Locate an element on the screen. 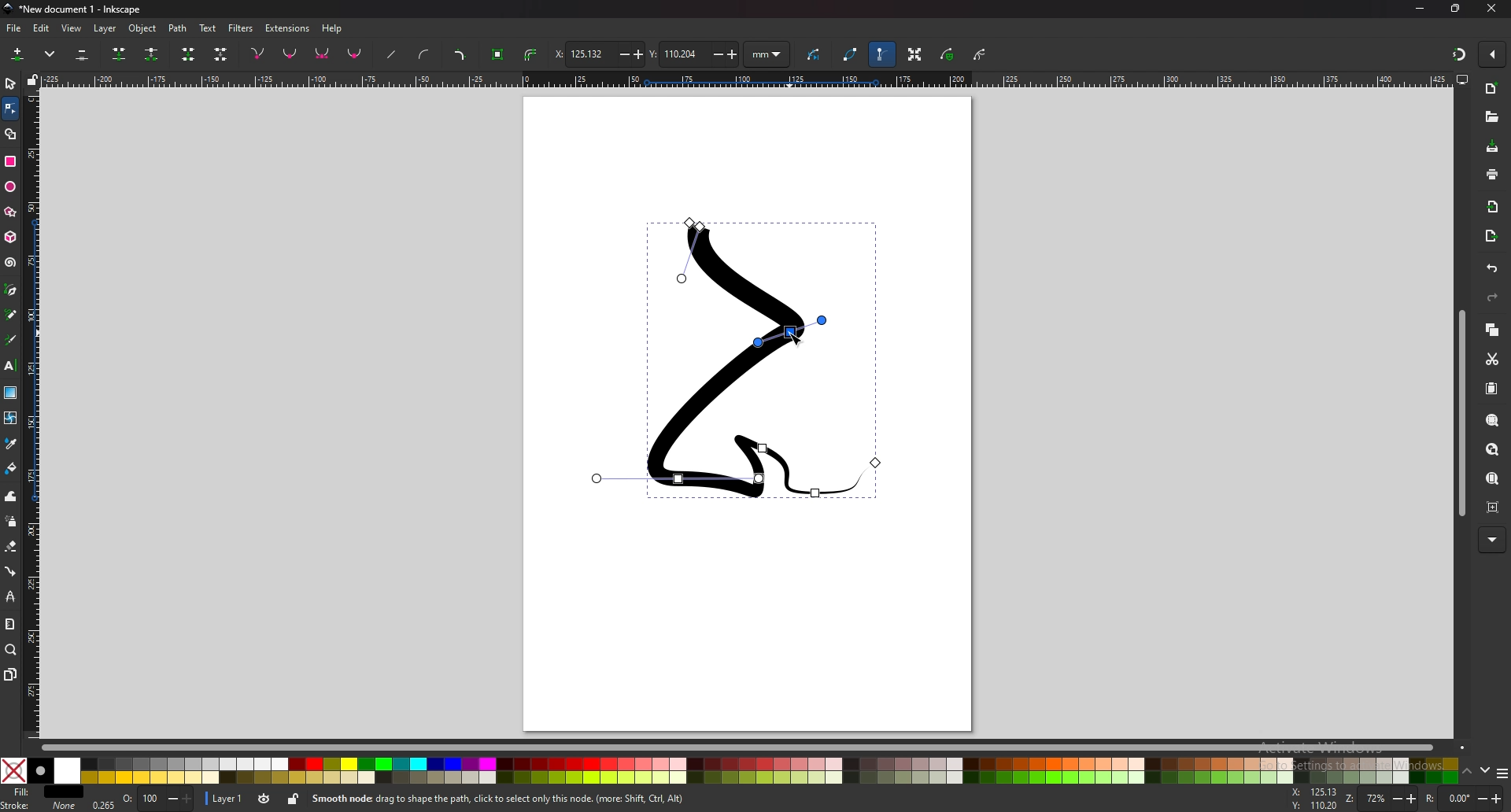 The image size is (1511, 812). up is located at coordinates (1468, 772).